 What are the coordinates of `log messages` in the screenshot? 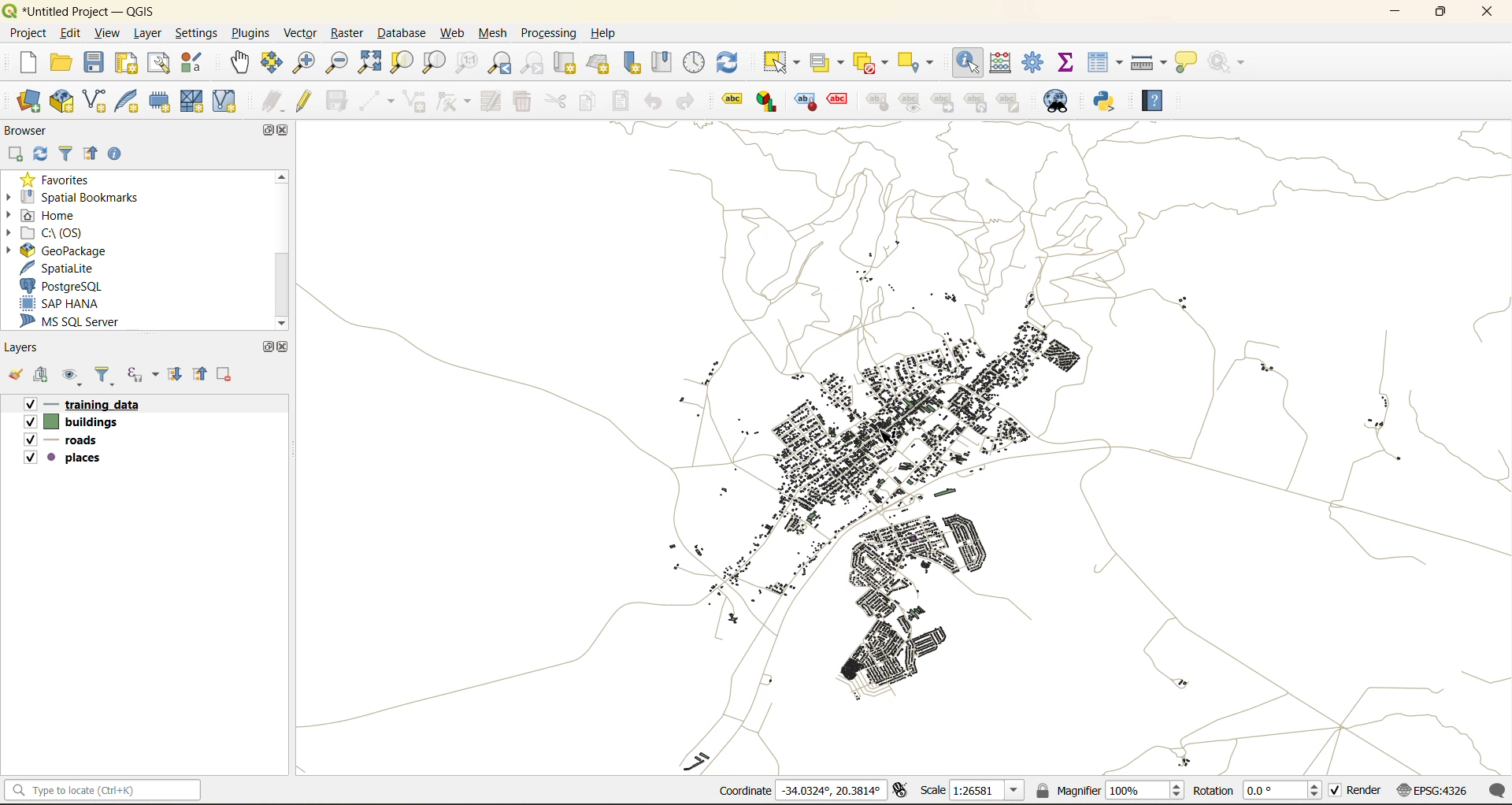 It's located at (1499, 790).